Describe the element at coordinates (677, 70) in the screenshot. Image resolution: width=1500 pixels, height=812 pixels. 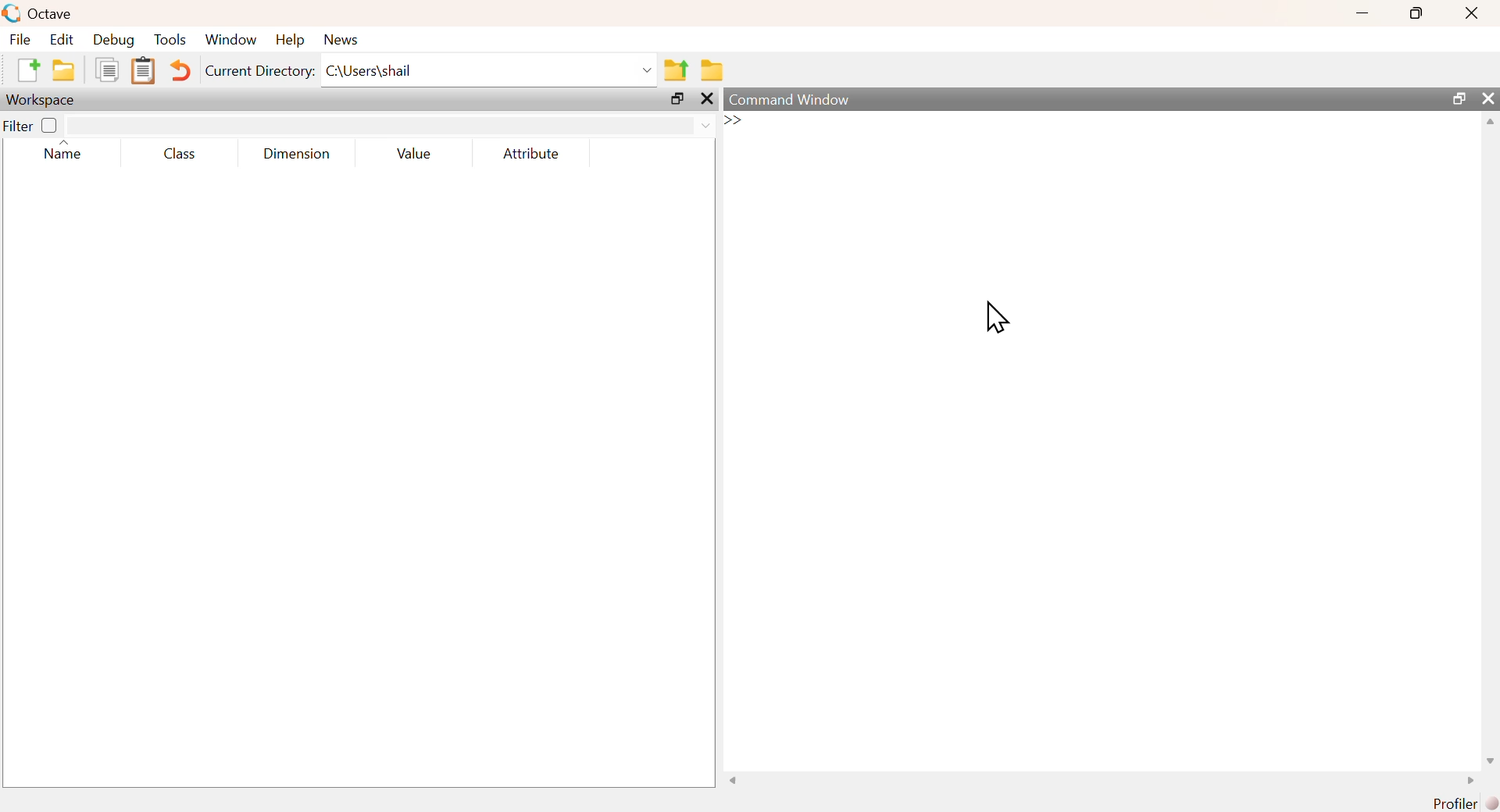
I see `Previous Folder` at that location.